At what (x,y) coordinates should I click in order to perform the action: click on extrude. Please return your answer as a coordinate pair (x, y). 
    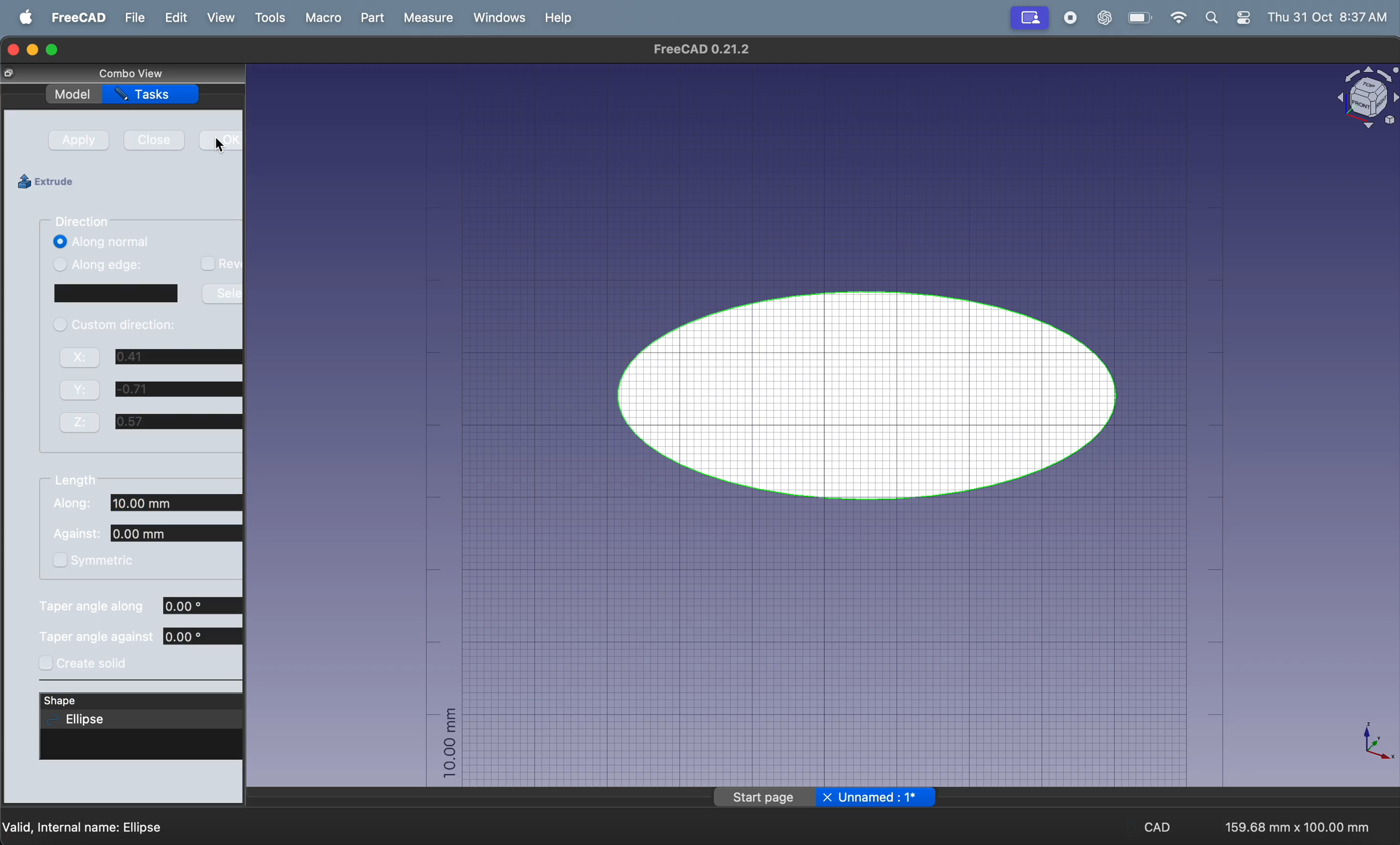
    Looking at the image, I should click on (52, 182).